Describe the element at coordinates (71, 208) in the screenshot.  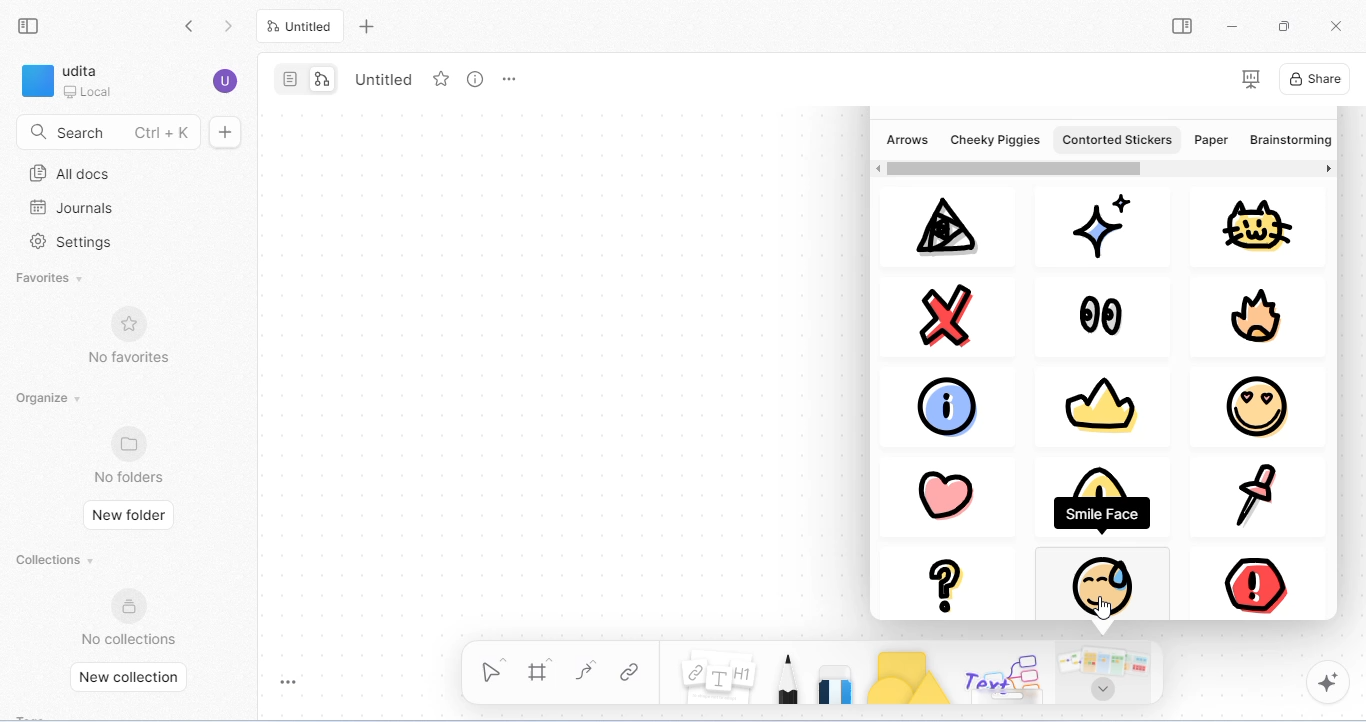
I see `journals` at that location.